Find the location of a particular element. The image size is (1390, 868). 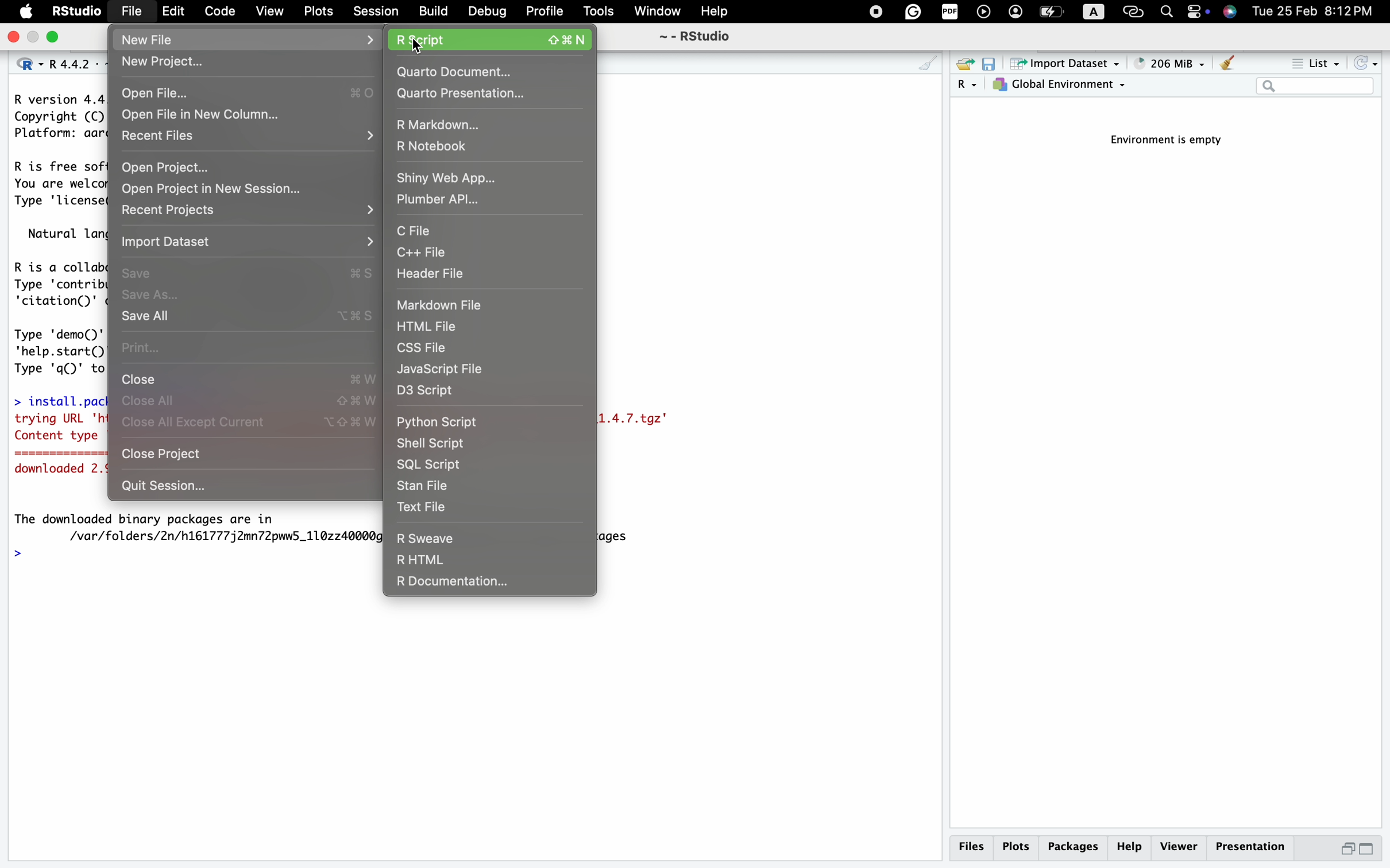

code is located at coordinates (218, 12).